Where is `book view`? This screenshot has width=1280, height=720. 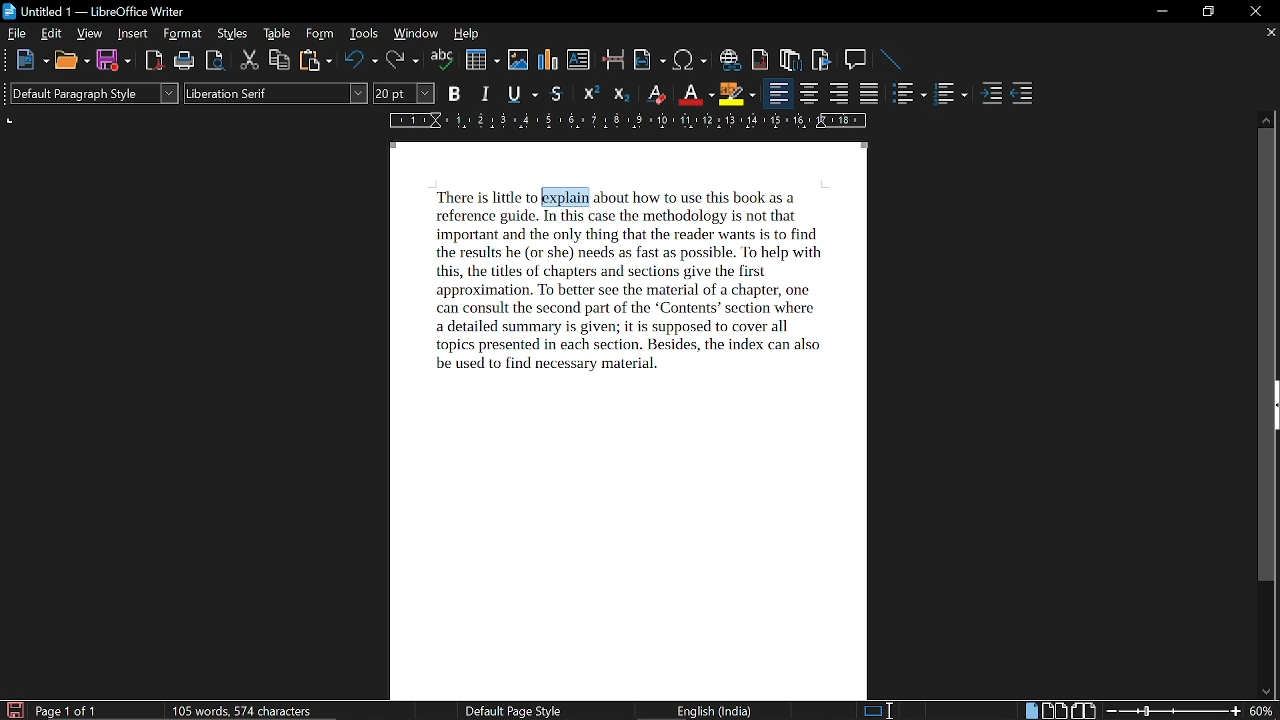
book view is located at coordinates (1083, 711).